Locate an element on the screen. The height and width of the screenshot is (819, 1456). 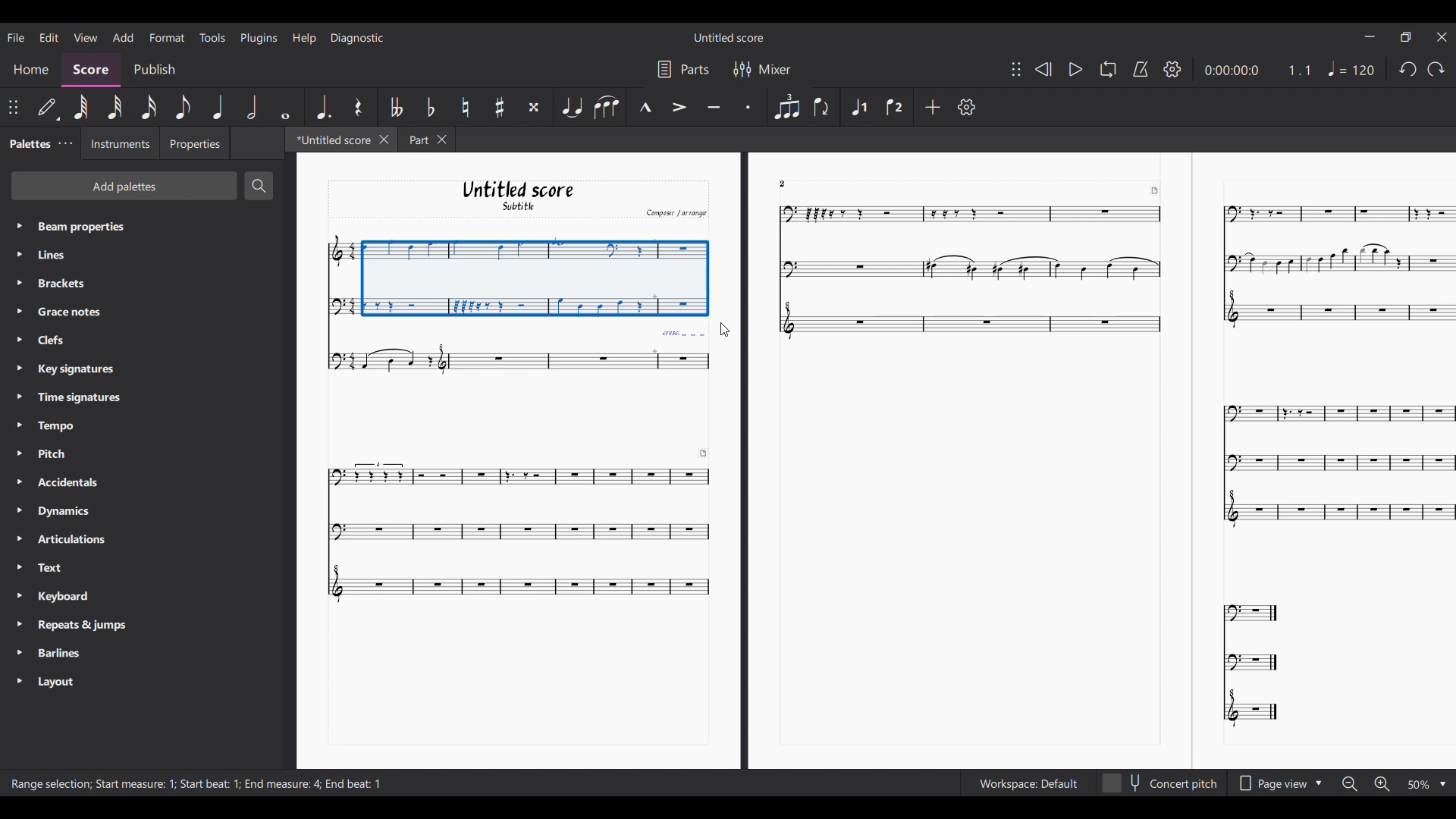
Untitled Score is located at coordinates (729, 37).